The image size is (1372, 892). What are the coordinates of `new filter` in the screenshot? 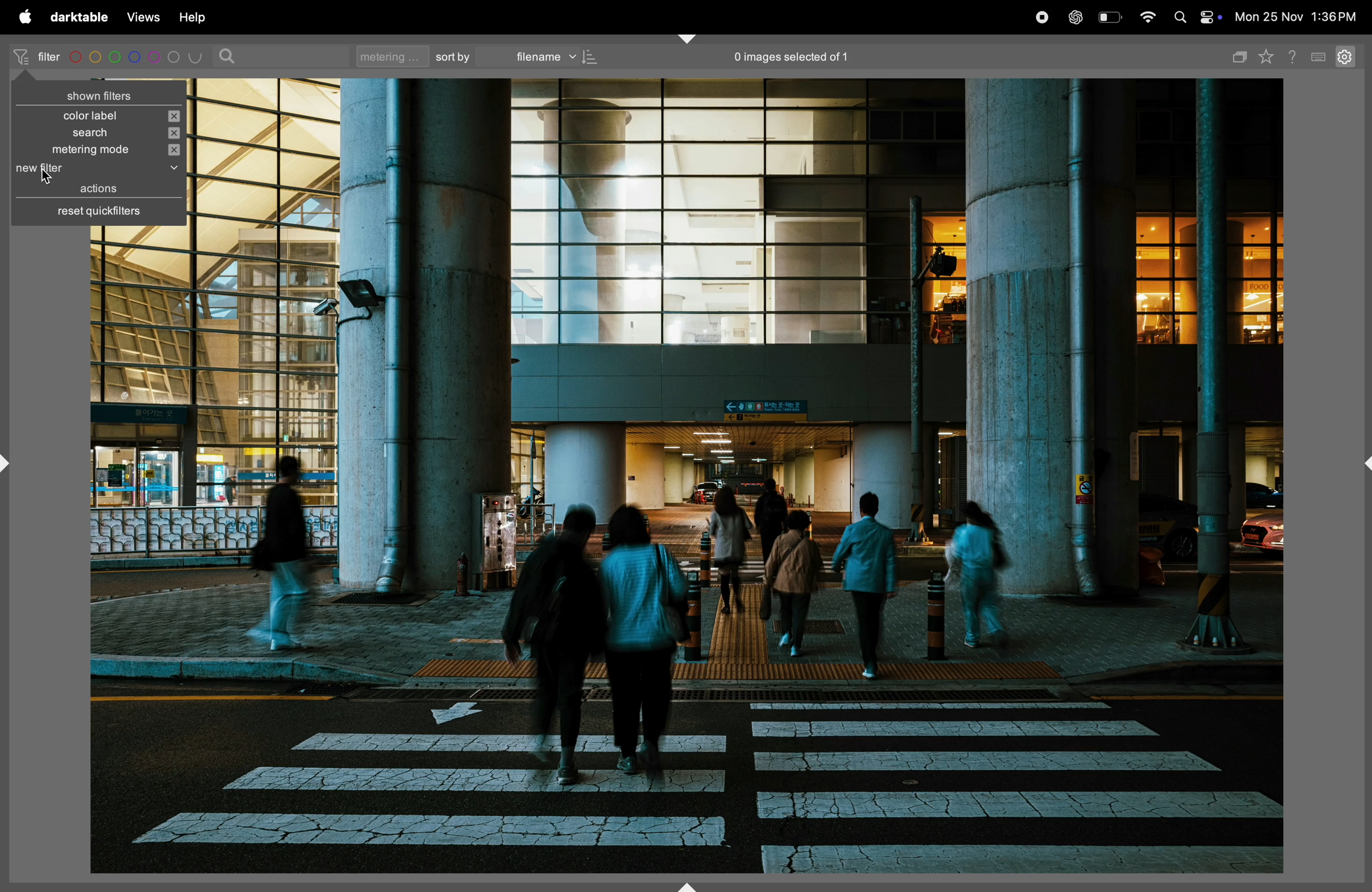 It's located at (98, 170).